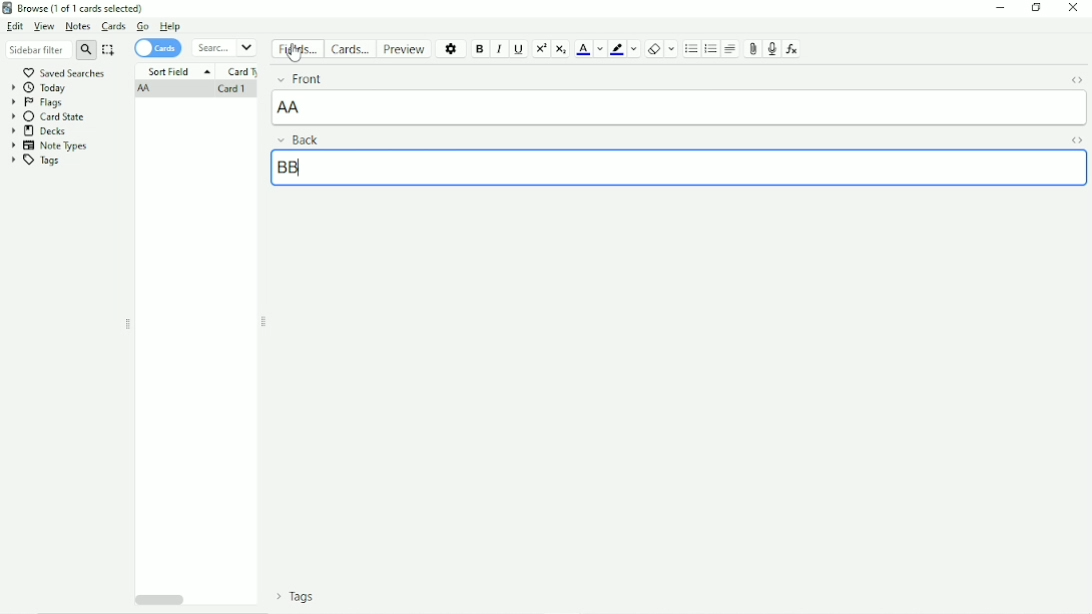 The width and height of the screenshot is (1092, 614). Describe the element at coordinates (146, 90) in the screenshot. I see `AA` at that location.